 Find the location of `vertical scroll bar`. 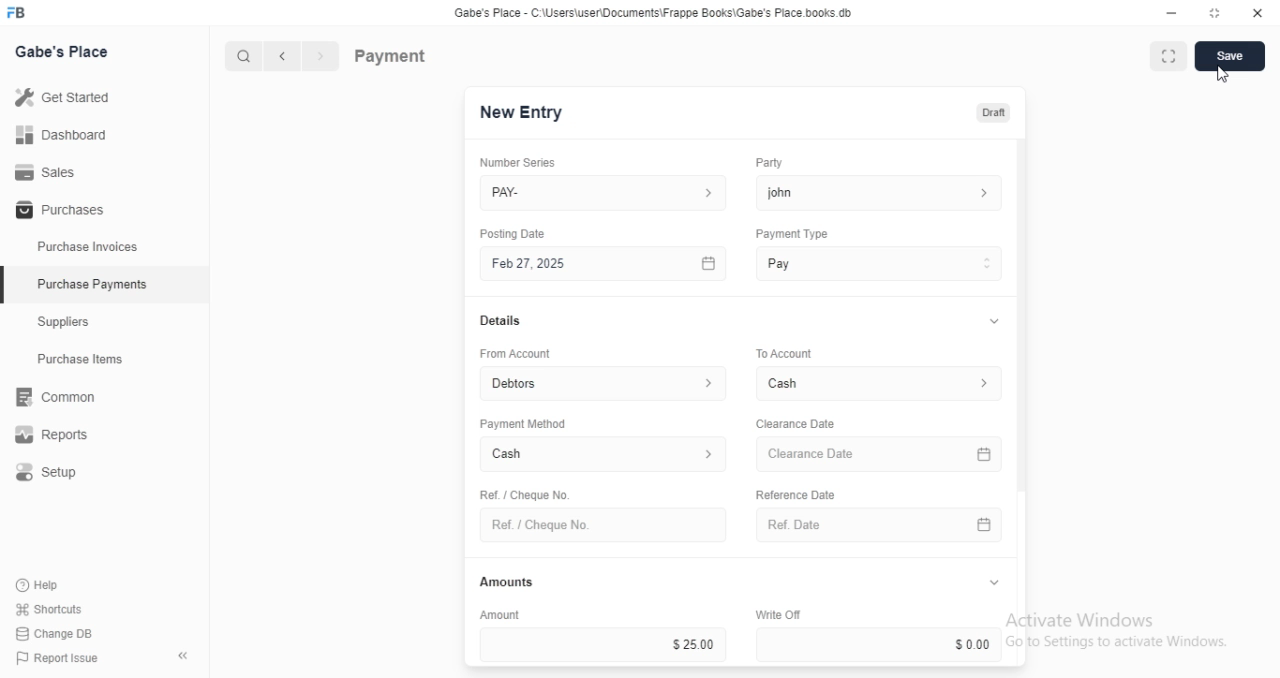

vertical scroll bar is located at coordinates (1022, 403).